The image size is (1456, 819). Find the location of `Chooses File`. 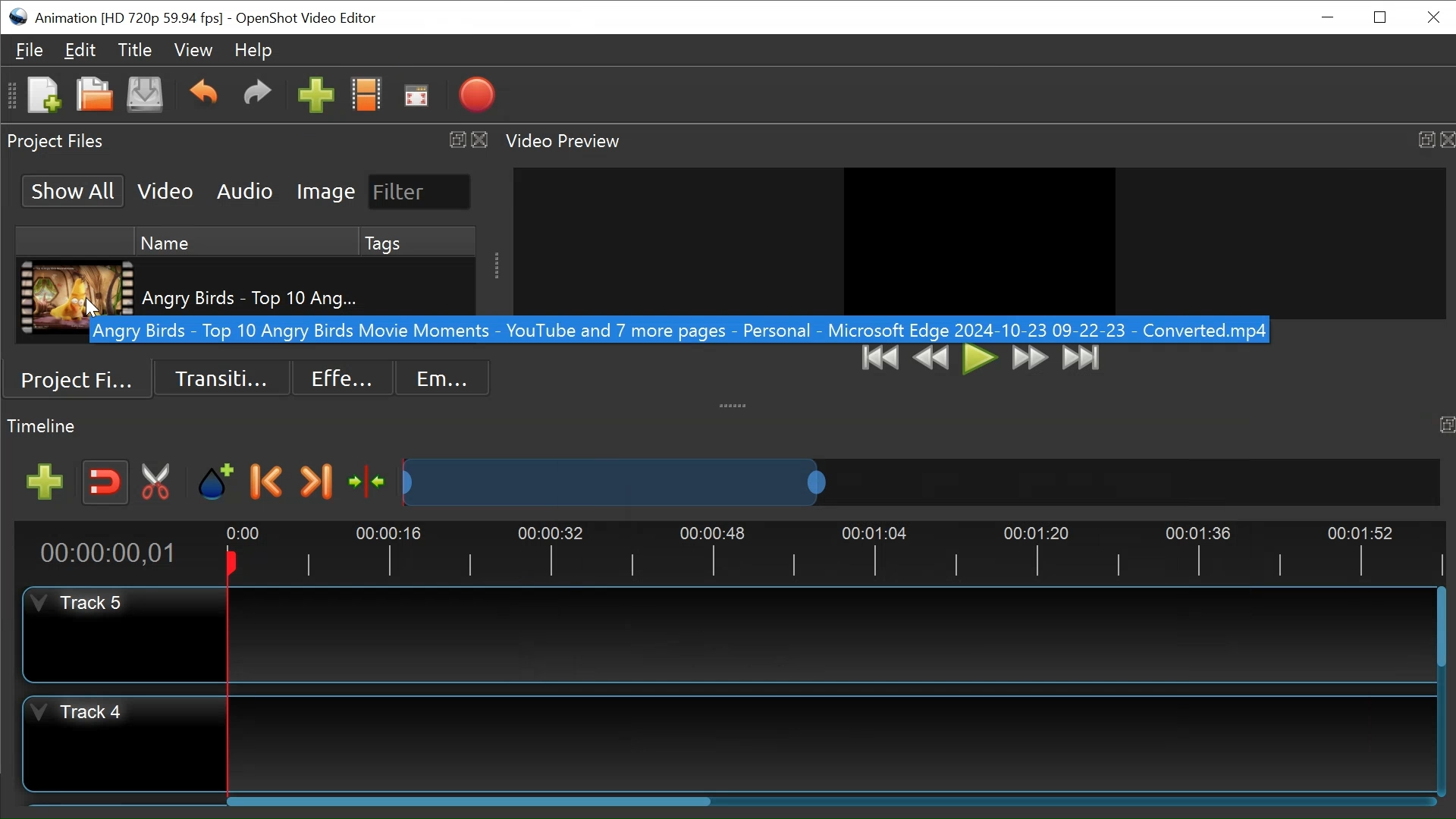

Chooses File is located at coordinates (366, 94).